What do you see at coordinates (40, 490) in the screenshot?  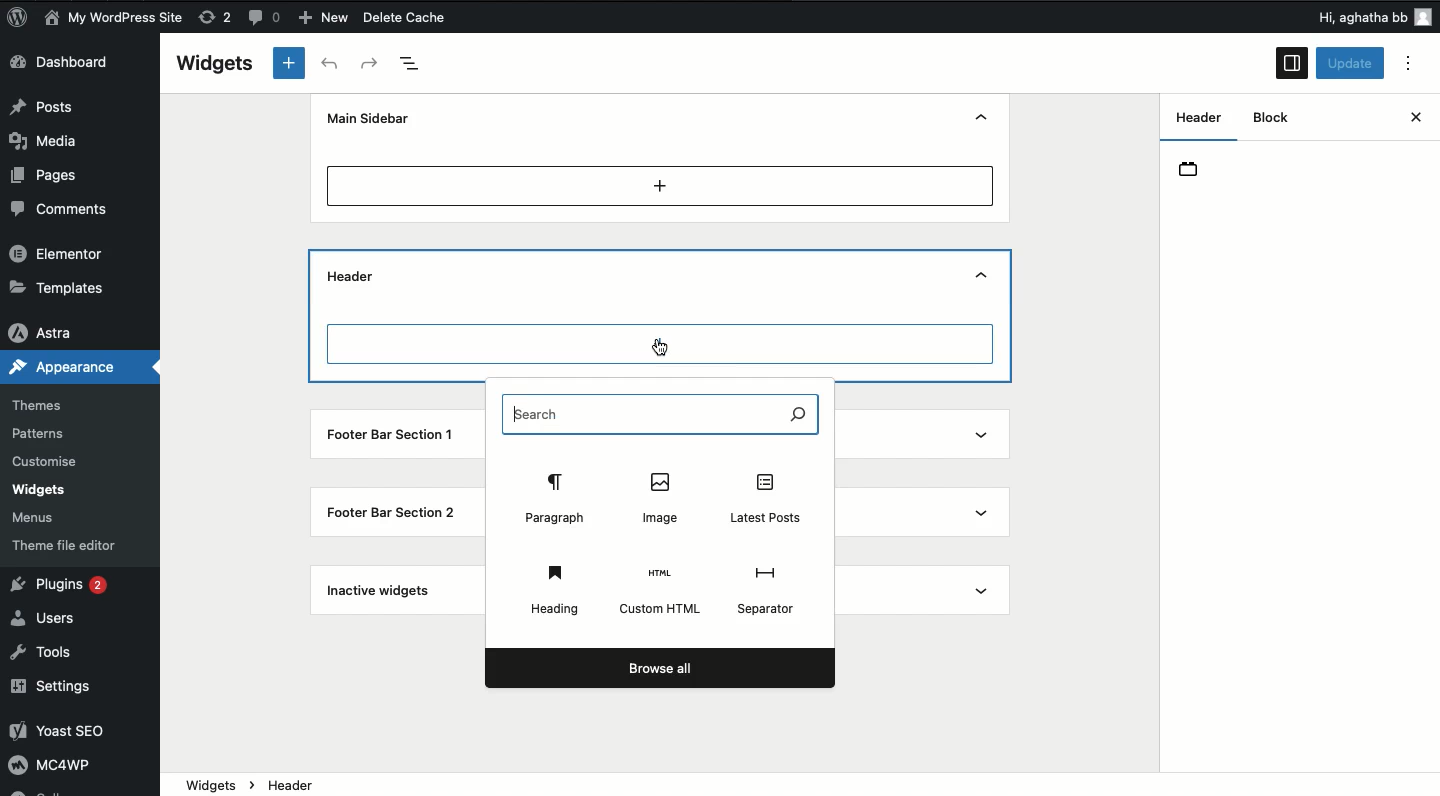 I see `Widgets` at bounding box center [40, 490].